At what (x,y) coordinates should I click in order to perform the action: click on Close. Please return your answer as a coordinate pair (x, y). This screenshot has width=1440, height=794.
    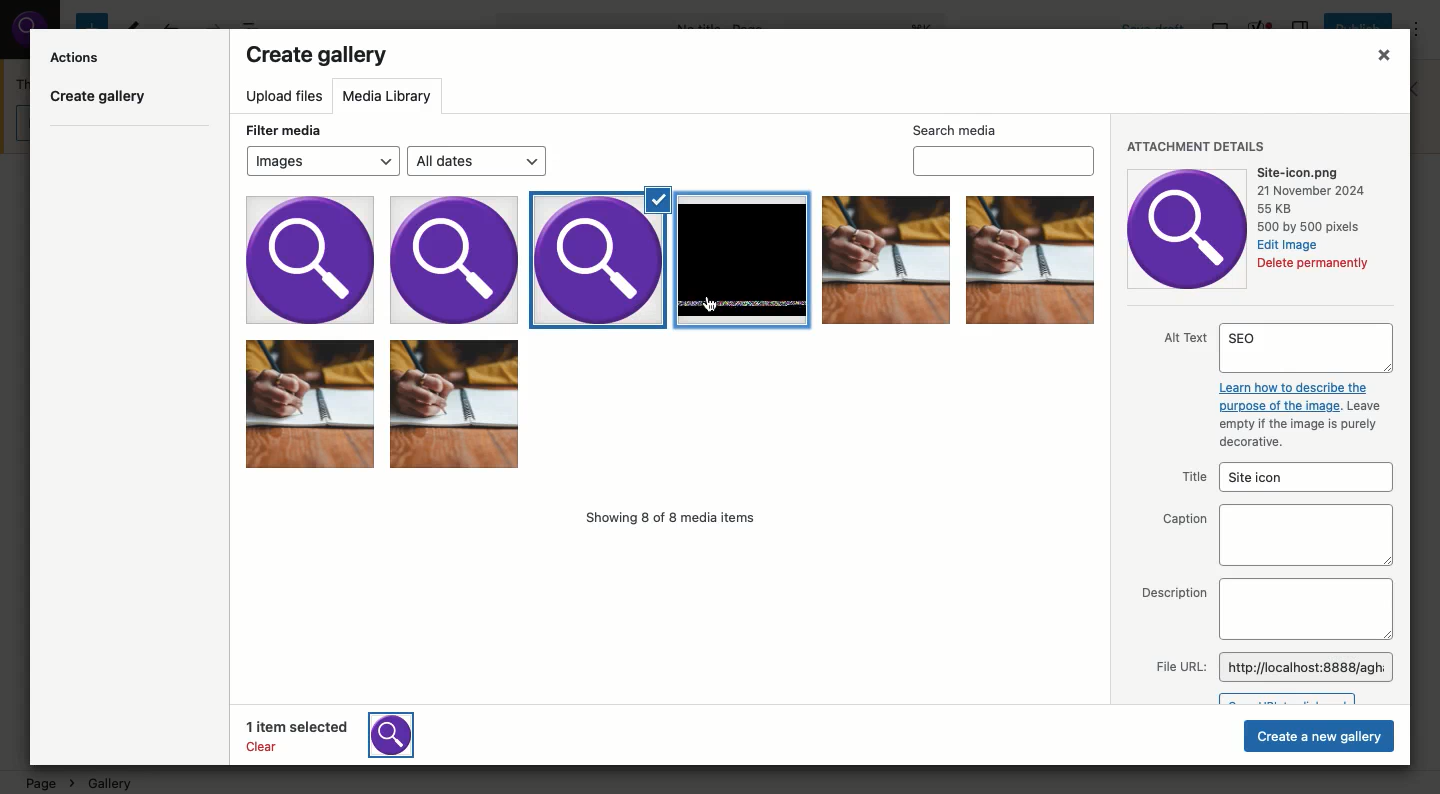
    Looking at the image, I should click on (1378, 58).